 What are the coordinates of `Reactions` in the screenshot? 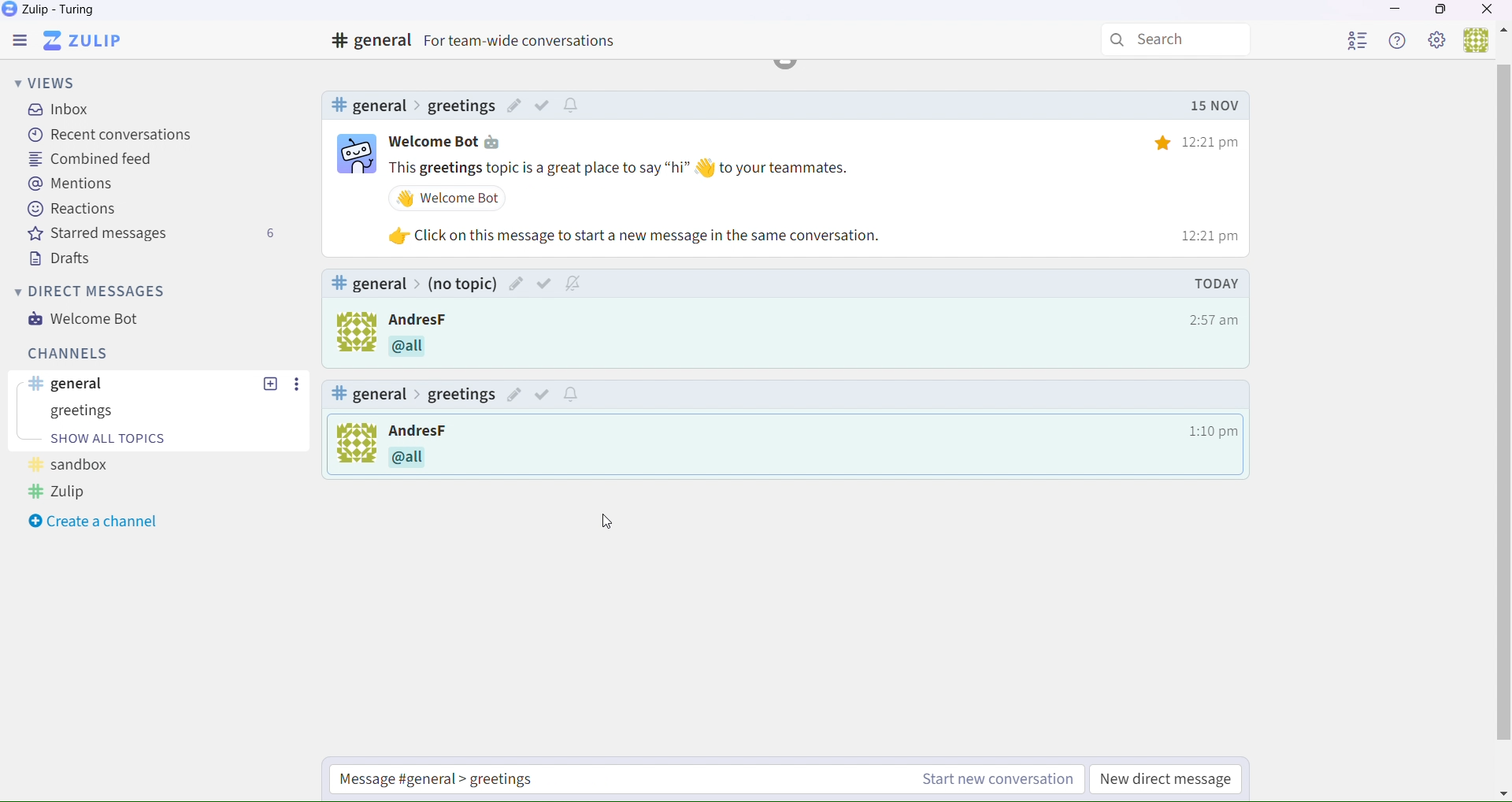 It's located at (73, 211).